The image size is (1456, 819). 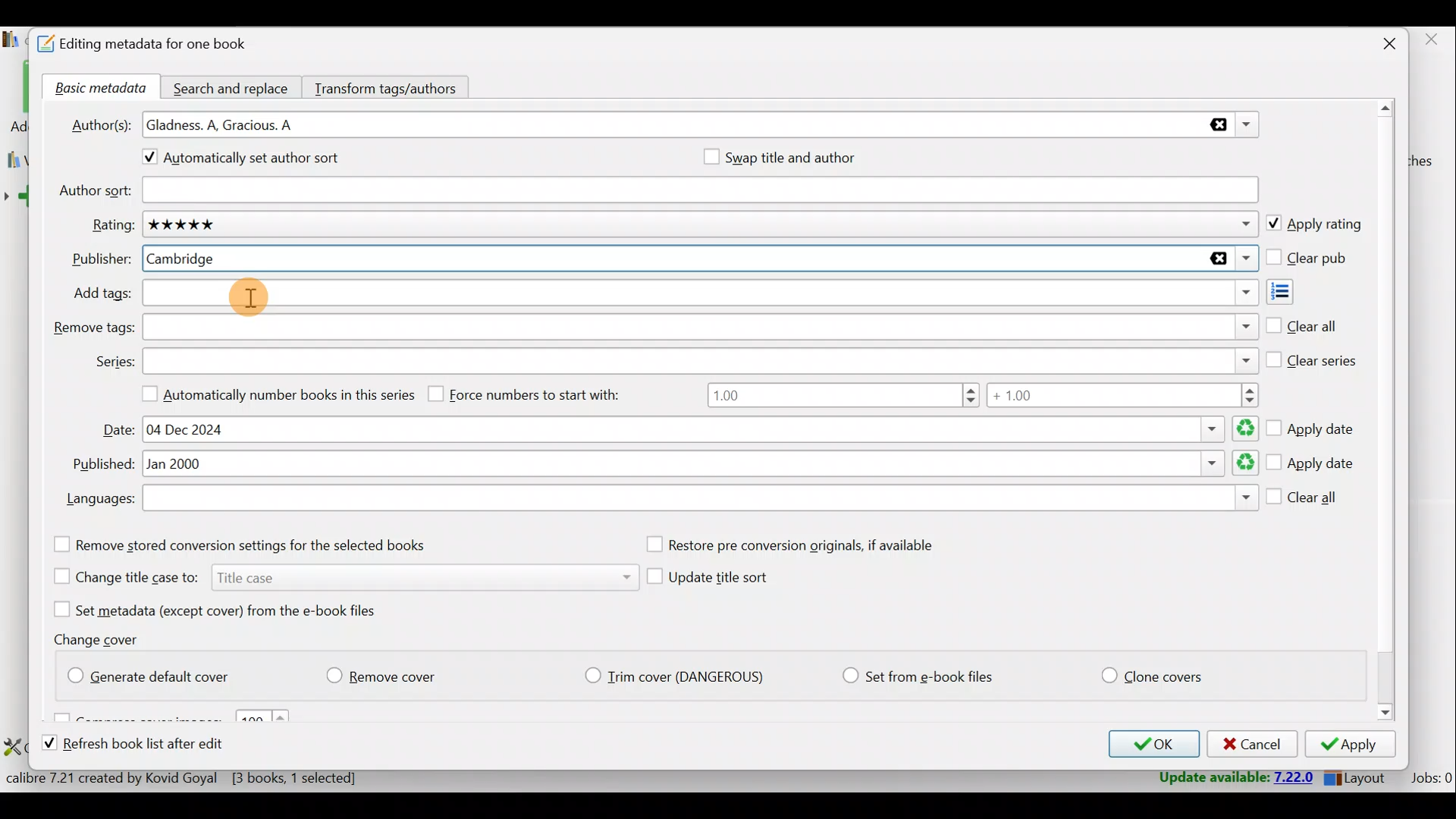 What do you see at coordinates (1310, 259) in the screenshot?
I see `Clear pub` at bounding box center [1310, 259].